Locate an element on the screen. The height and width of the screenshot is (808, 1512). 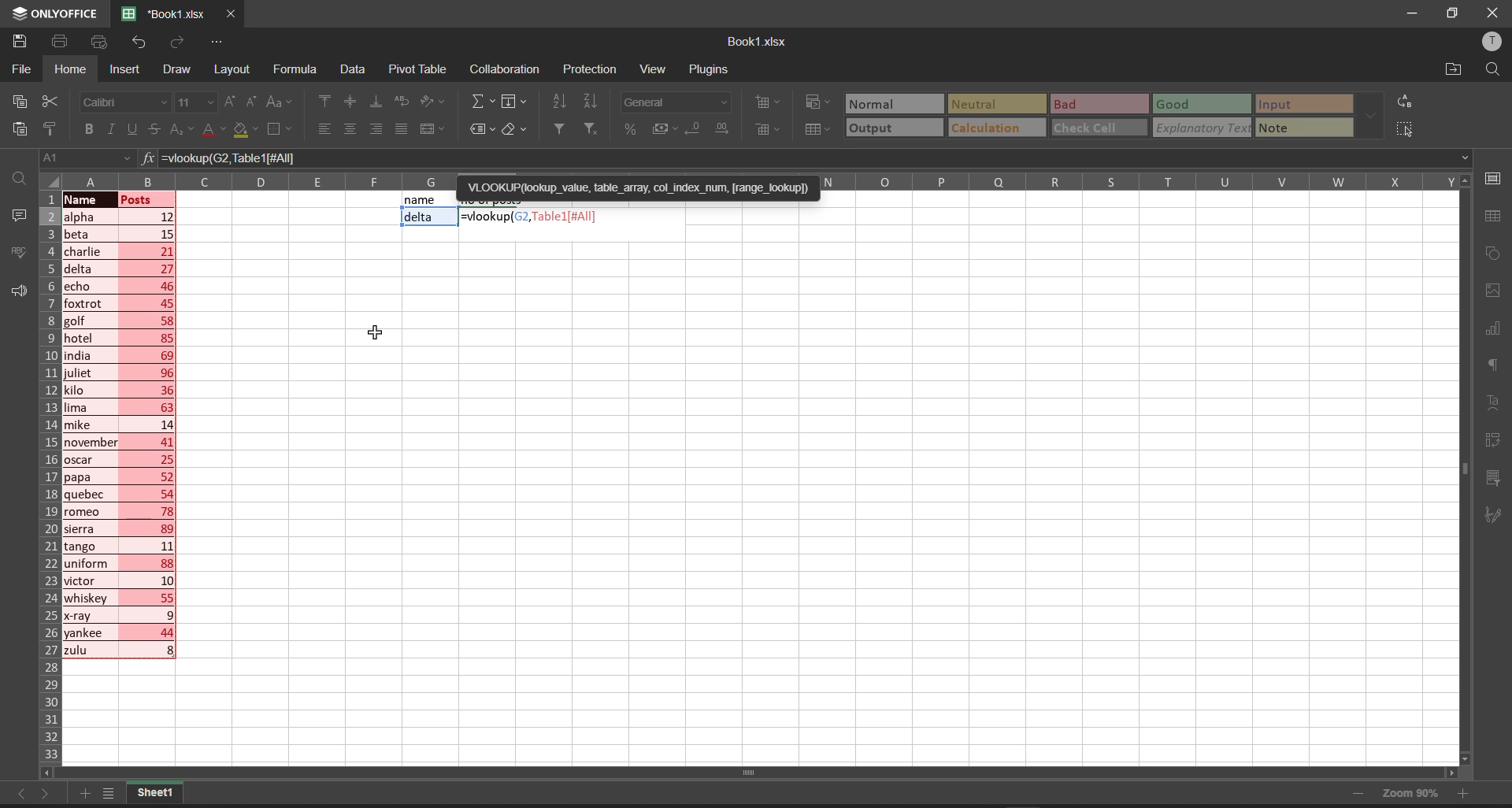
quick print is located at coordinates (98, 40).